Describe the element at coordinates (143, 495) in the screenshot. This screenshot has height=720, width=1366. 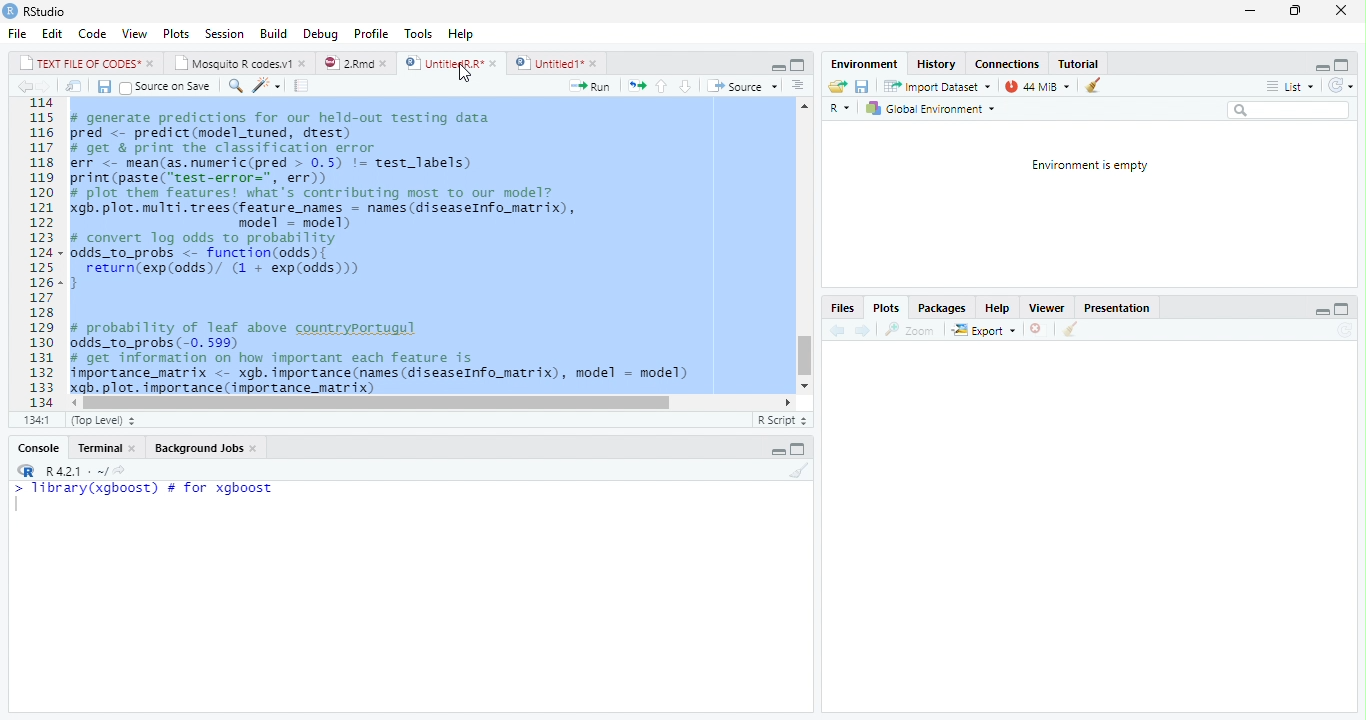
I see `> library(xgboost) # for xgboost` at that location.